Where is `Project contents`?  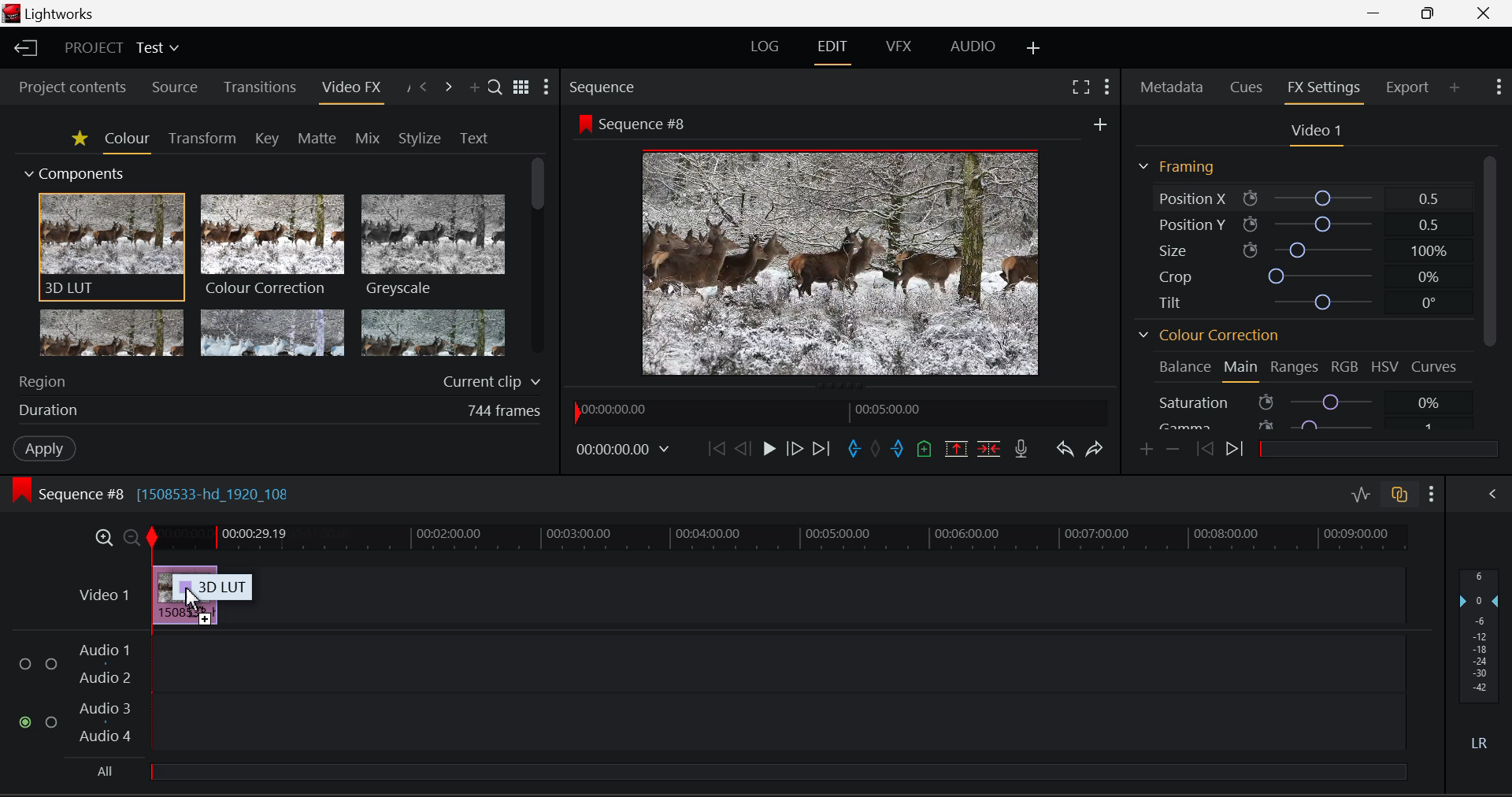 Project contents is located at coordinates (72, 89).